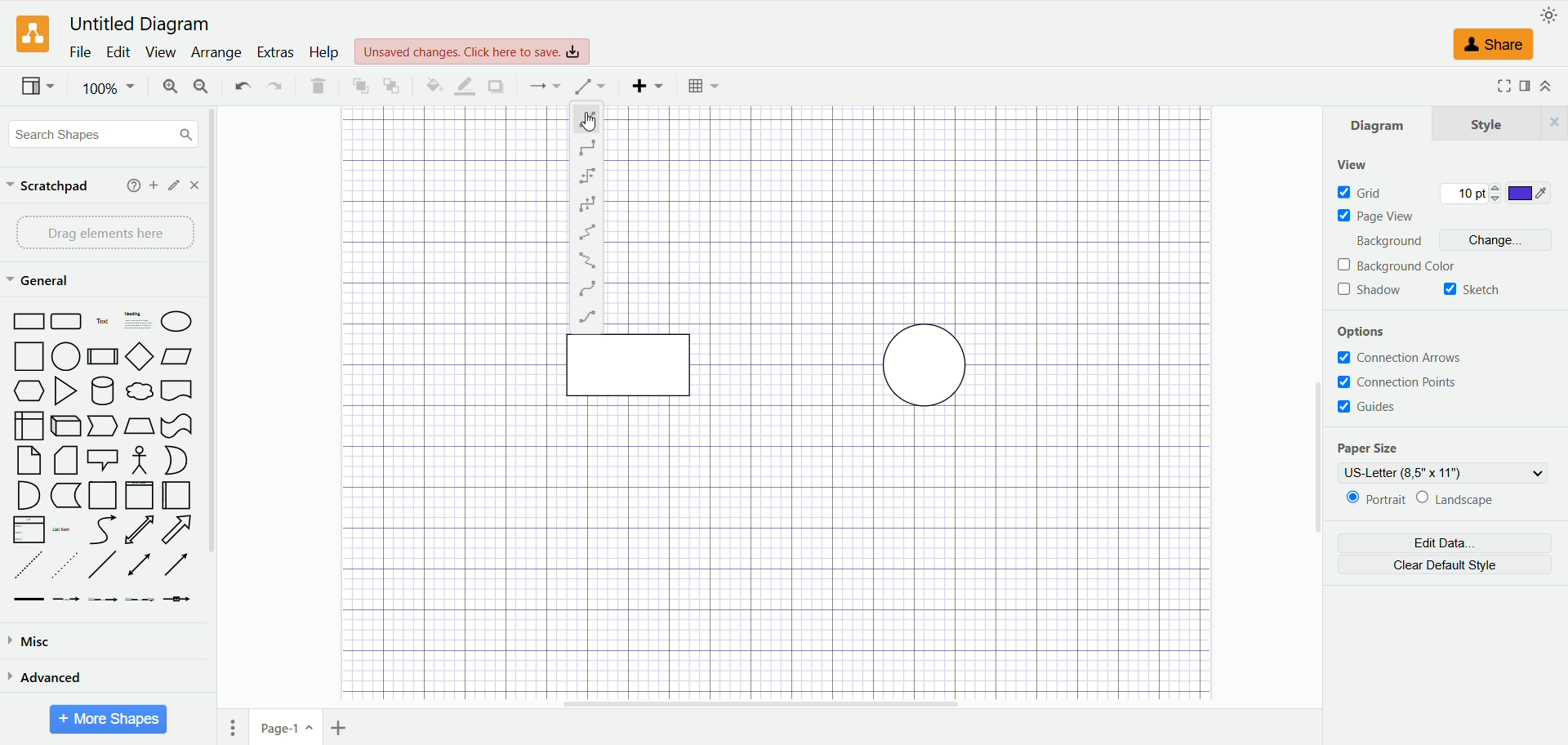 This screenshot has height=745, width=1568. I want to click on vertical scroll bar, so click(210, 426).